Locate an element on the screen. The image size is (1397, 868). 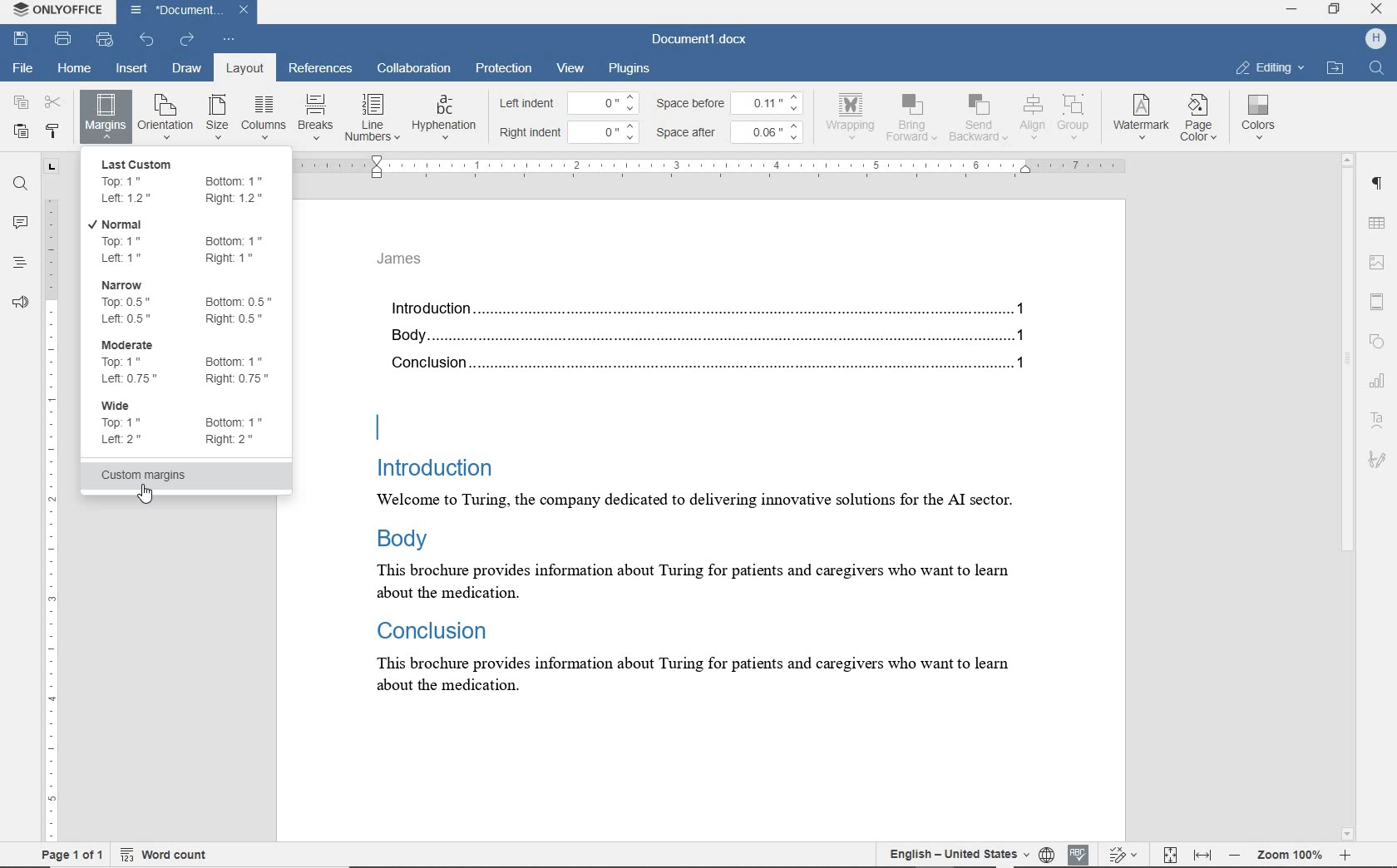
narrow is located at coordinates (190, 302).